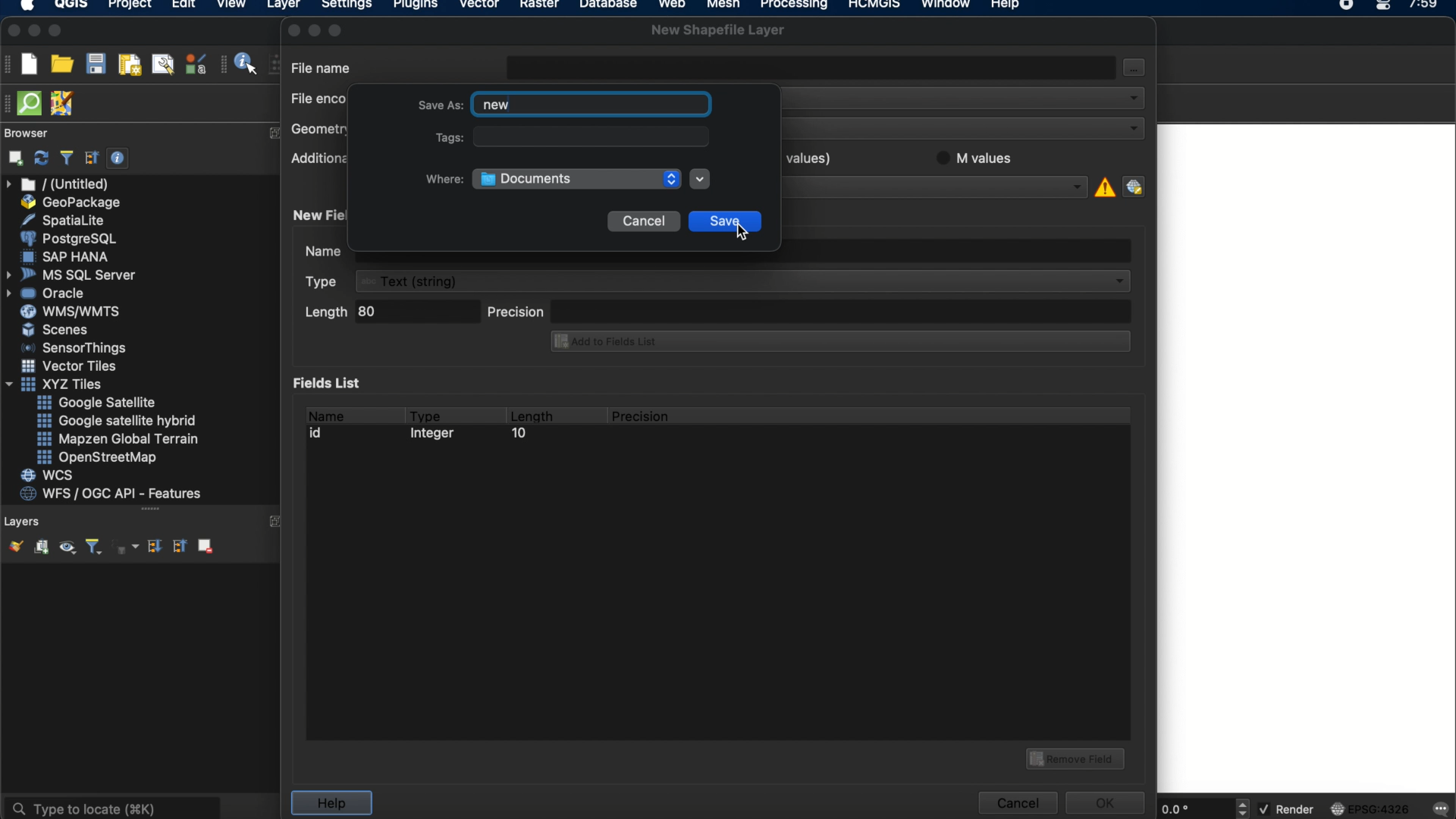 Image resolution: width=1456 pixels, height=819 pixels. Describe the element at coordinates (184, 6) in the screenshot. I see `edit` at that location.